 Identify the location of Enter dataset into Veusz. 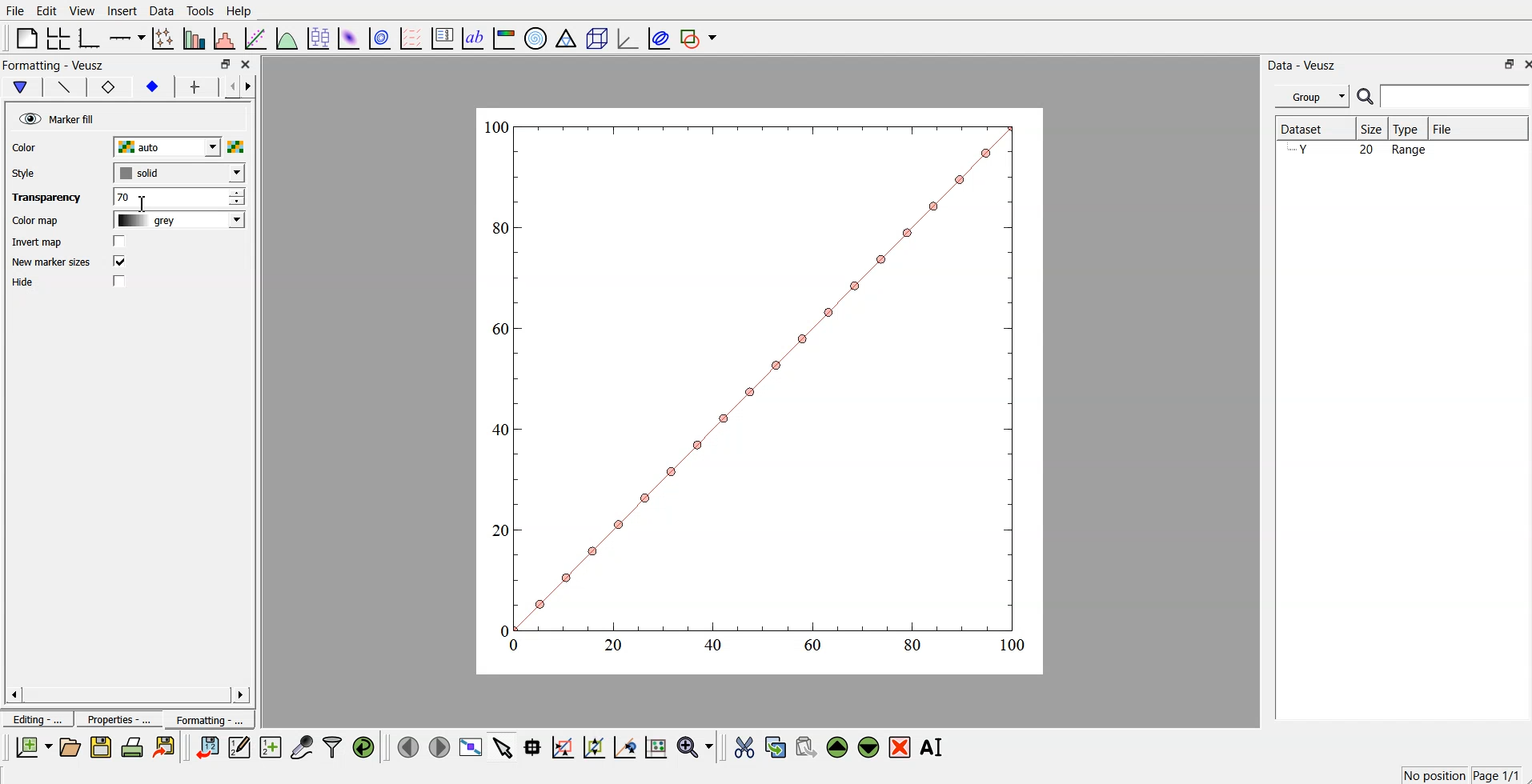
(206, 747).